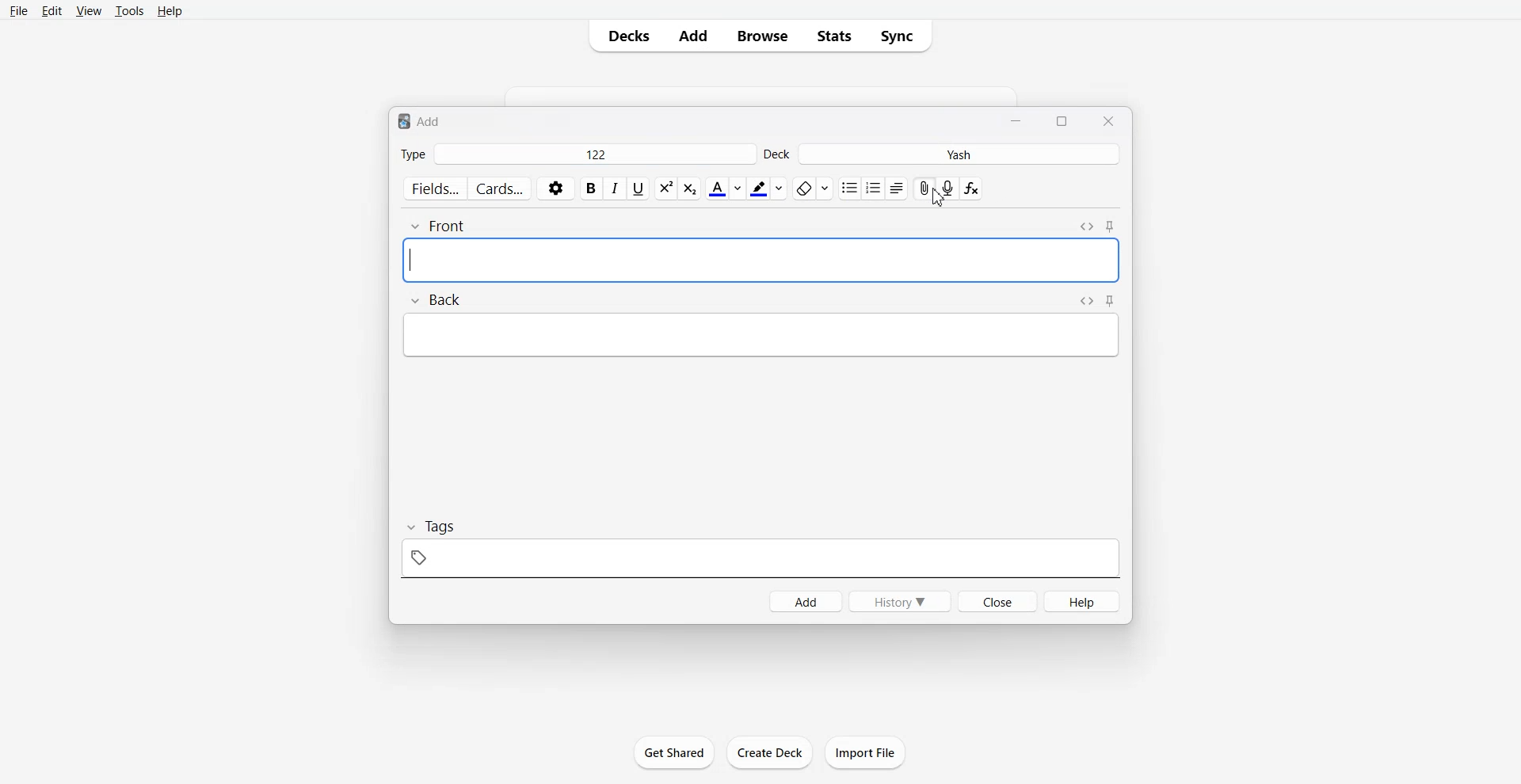 The image size is (1521, 784). What do you see at coordinates (974, 188) in the screenshot?
I see `Equation` at bounding box center [974, 188].